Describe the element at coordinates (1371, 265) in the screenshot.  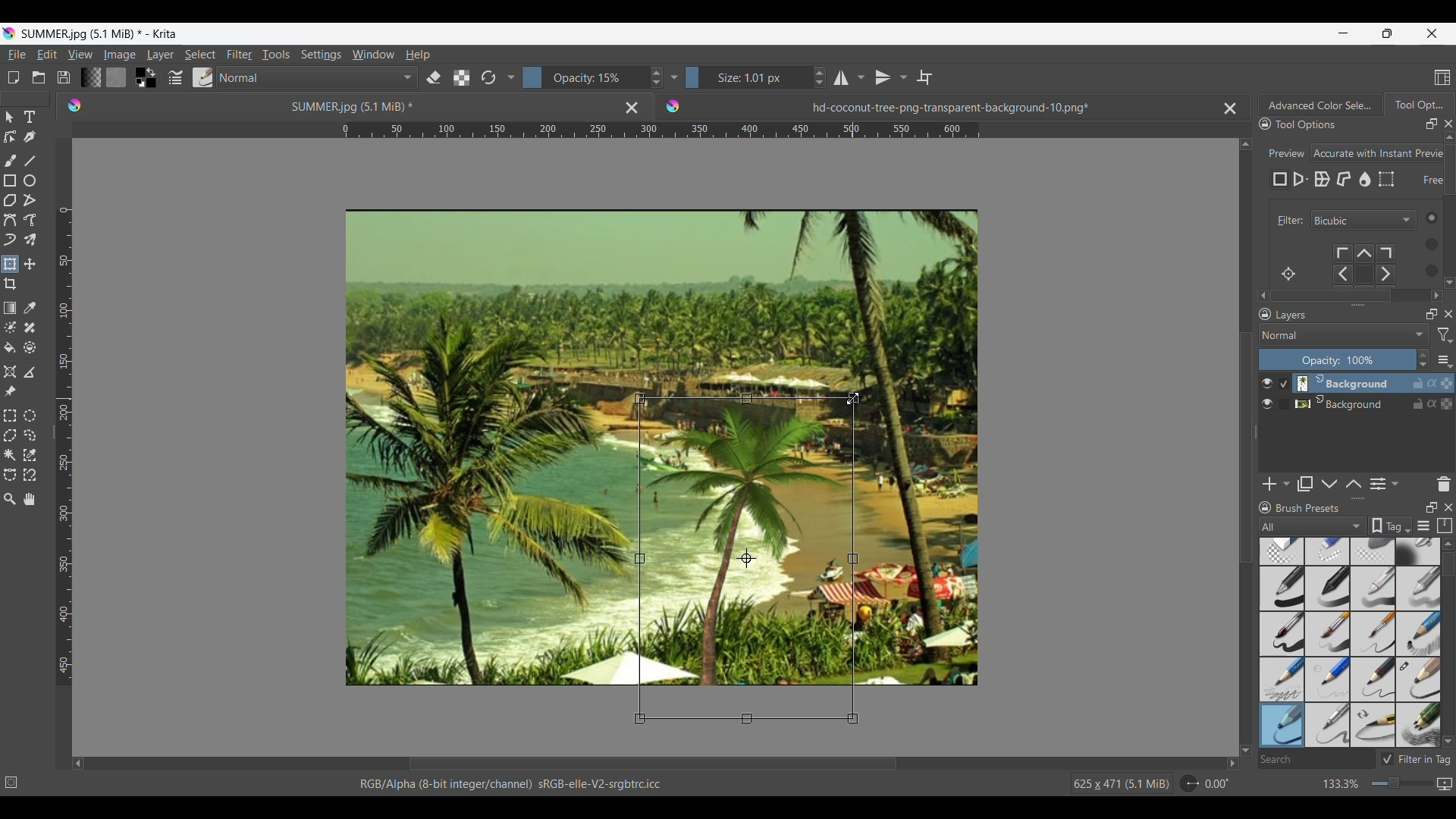
I see `Controls` at that location.